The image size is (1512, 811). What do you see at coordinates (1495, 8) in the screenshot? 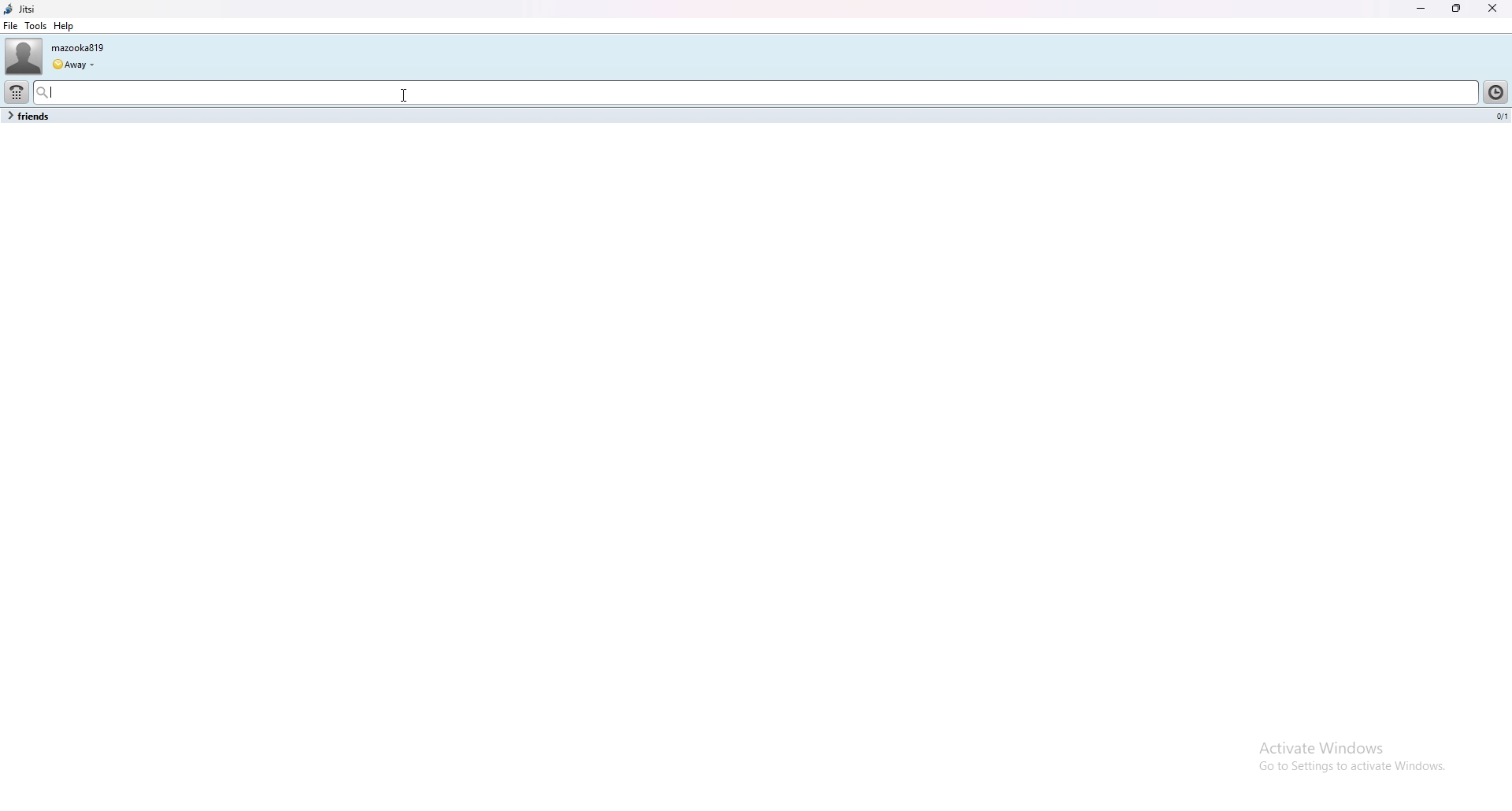
I see `close` at bounding box center [1495, 8].